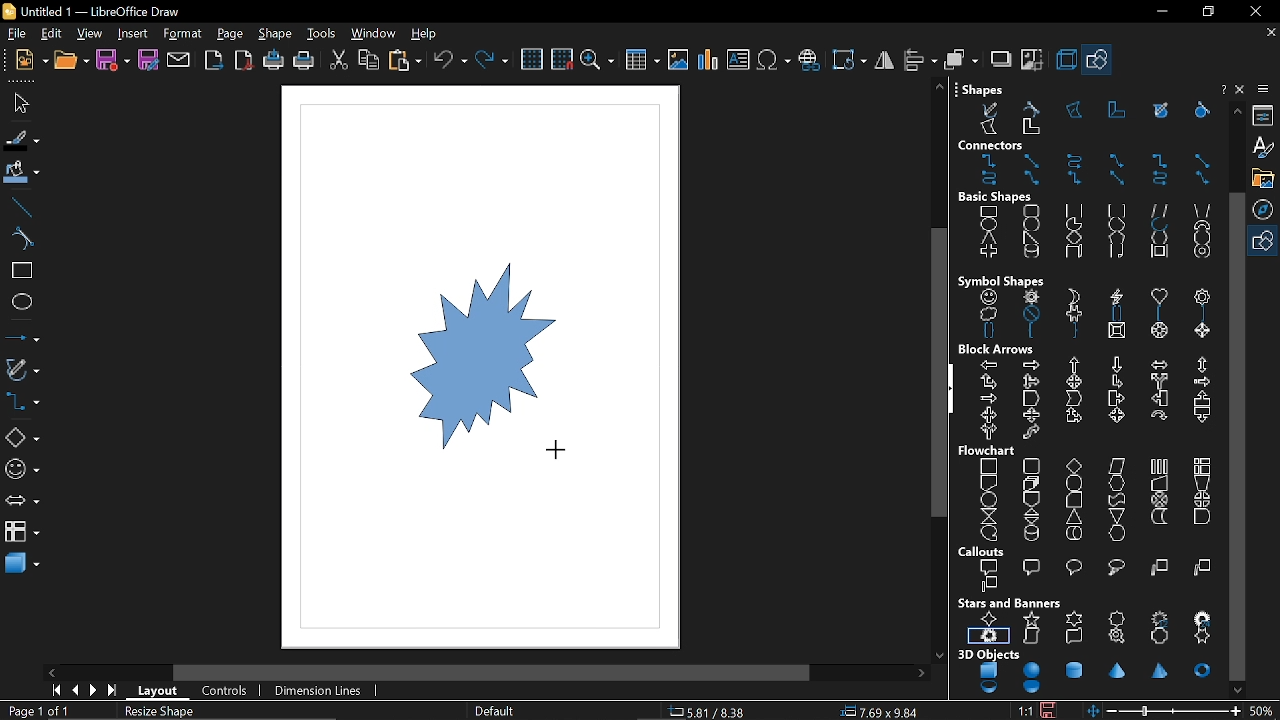 The image size is (1280, 720). Describe the element at coordinates (1099, 62) in the screenshot. I see `Basic shapes` at that location.